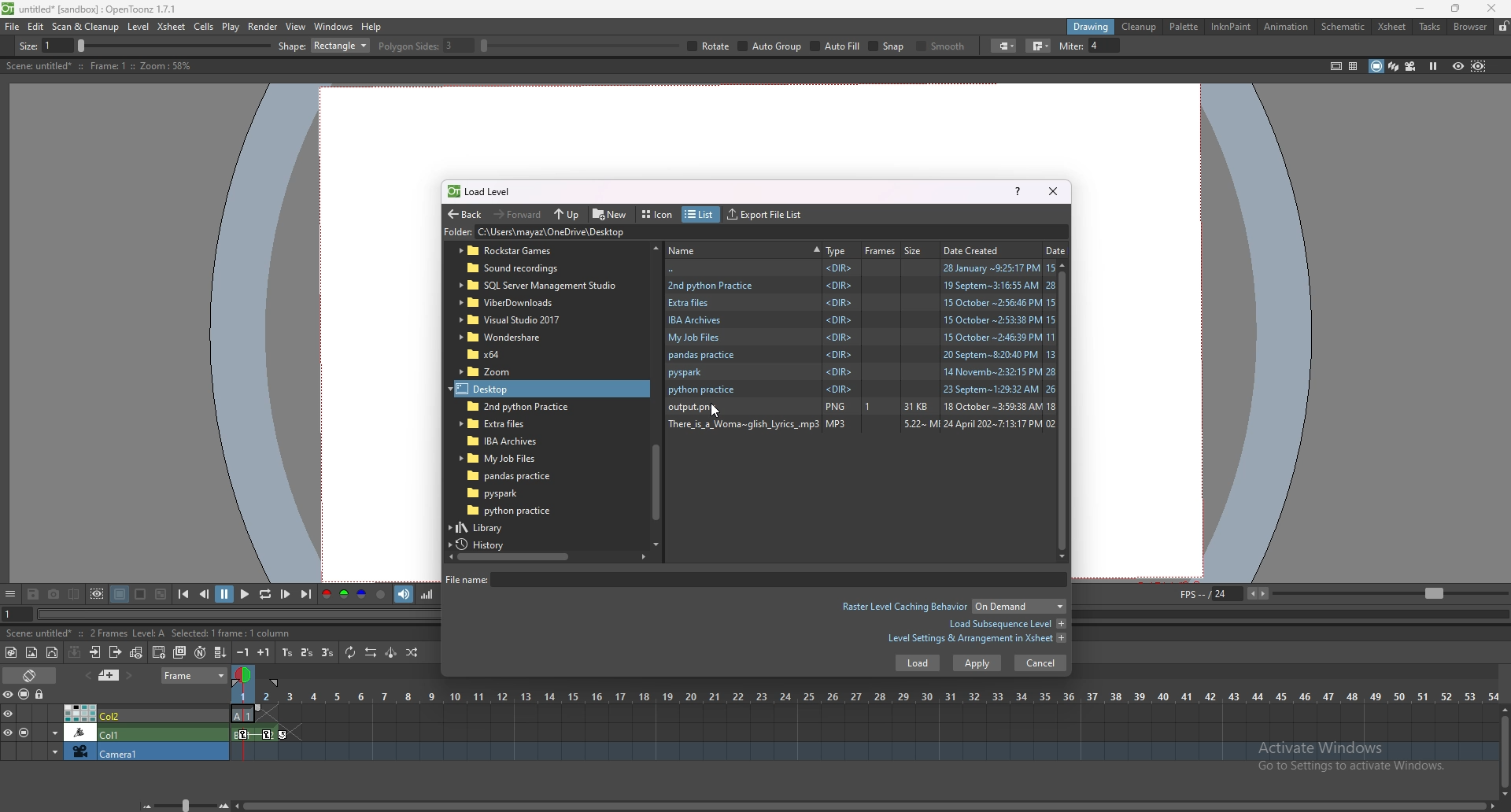 Image resolution: width=1511 pixels, height=812 pixels. What do you see at coordinates (464, 215) in the screenshot?
I see `back` at bounding box center [464, 215].